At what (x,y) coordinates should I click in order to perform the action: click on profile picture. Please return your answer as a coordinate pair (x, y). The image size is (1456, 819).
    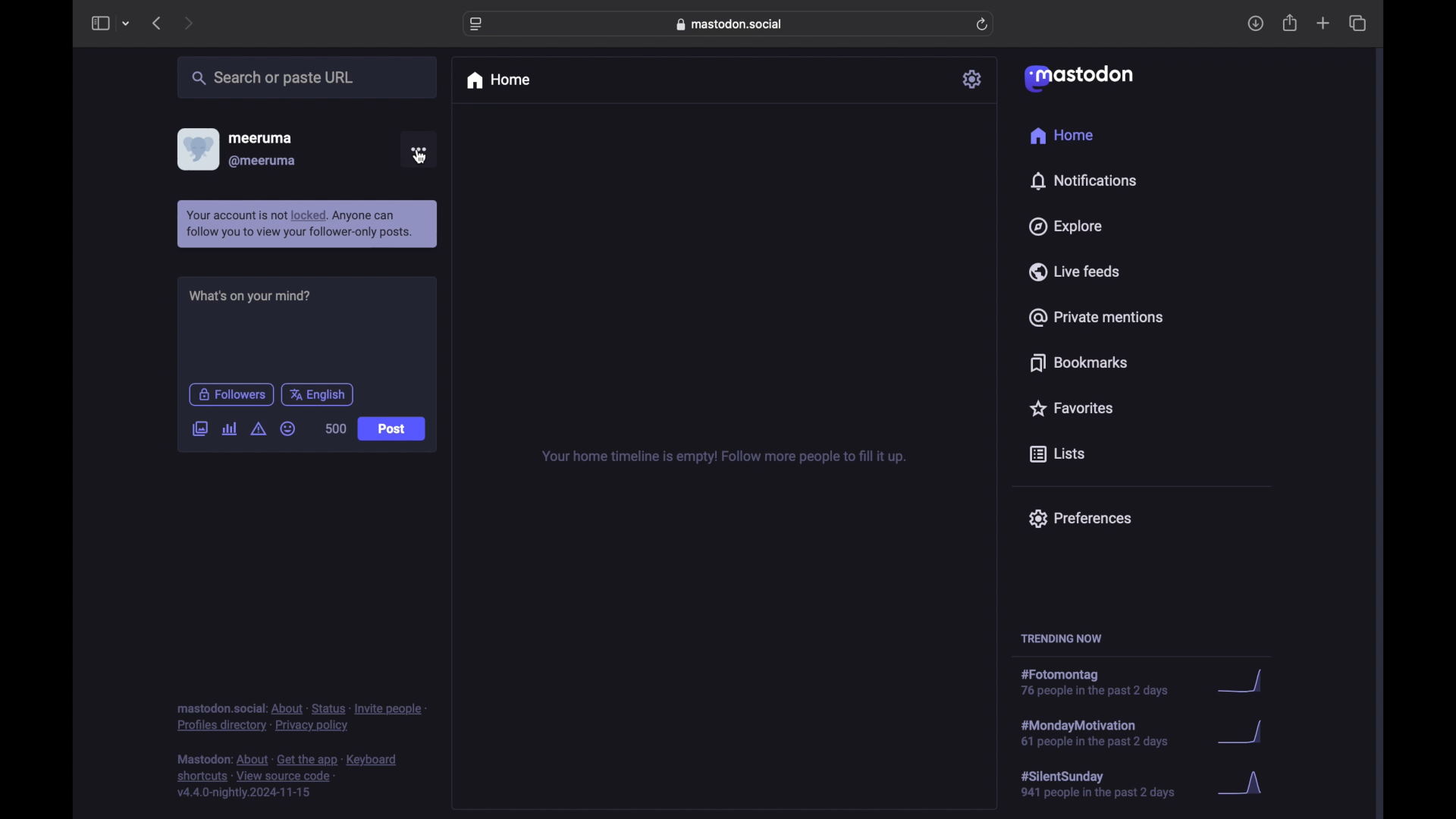
    Looking at the image, I should click on (196, 149).